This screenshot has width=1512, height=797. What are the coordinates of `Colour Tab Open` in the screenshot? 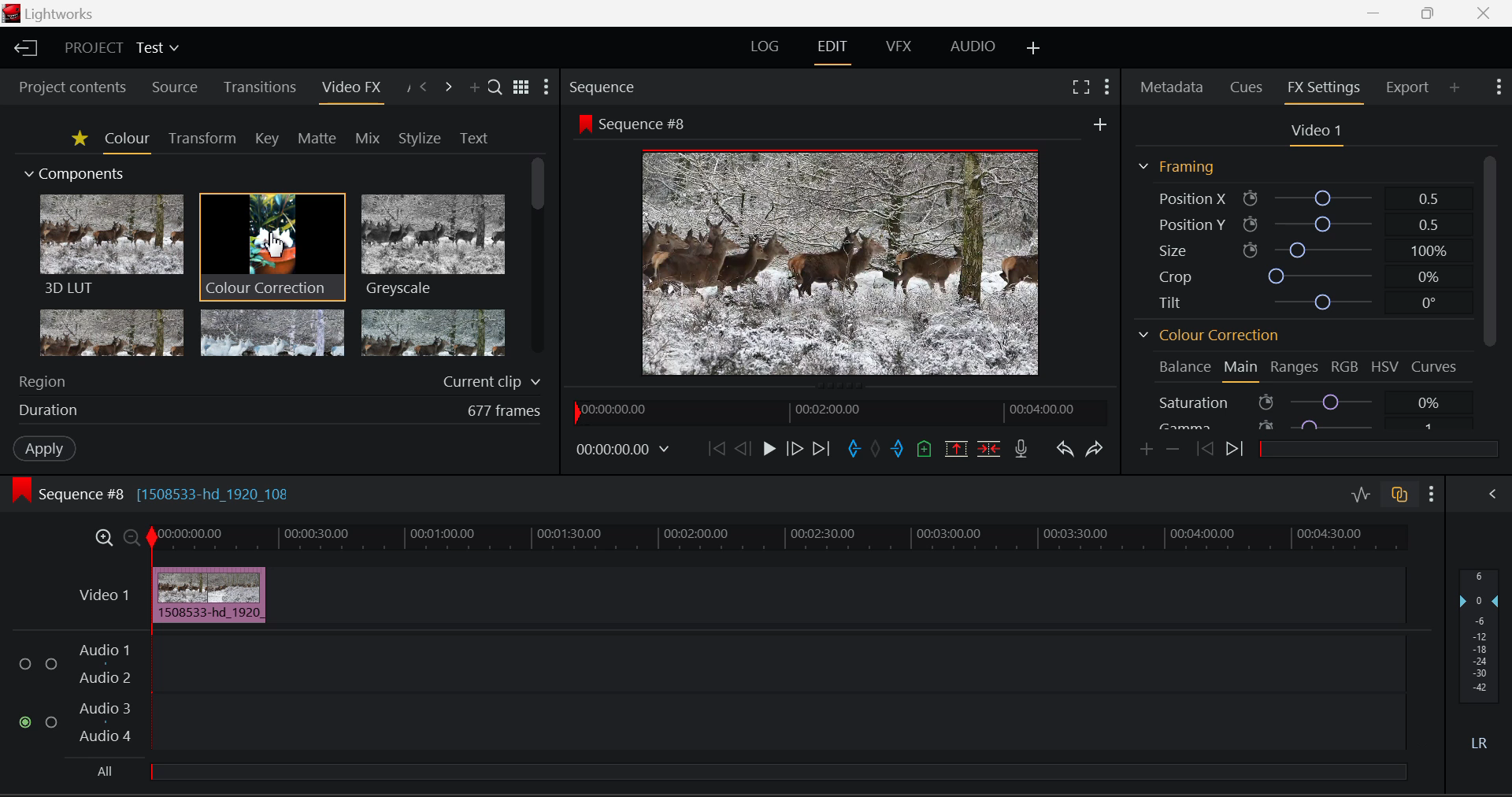 It's located at (127, 140).